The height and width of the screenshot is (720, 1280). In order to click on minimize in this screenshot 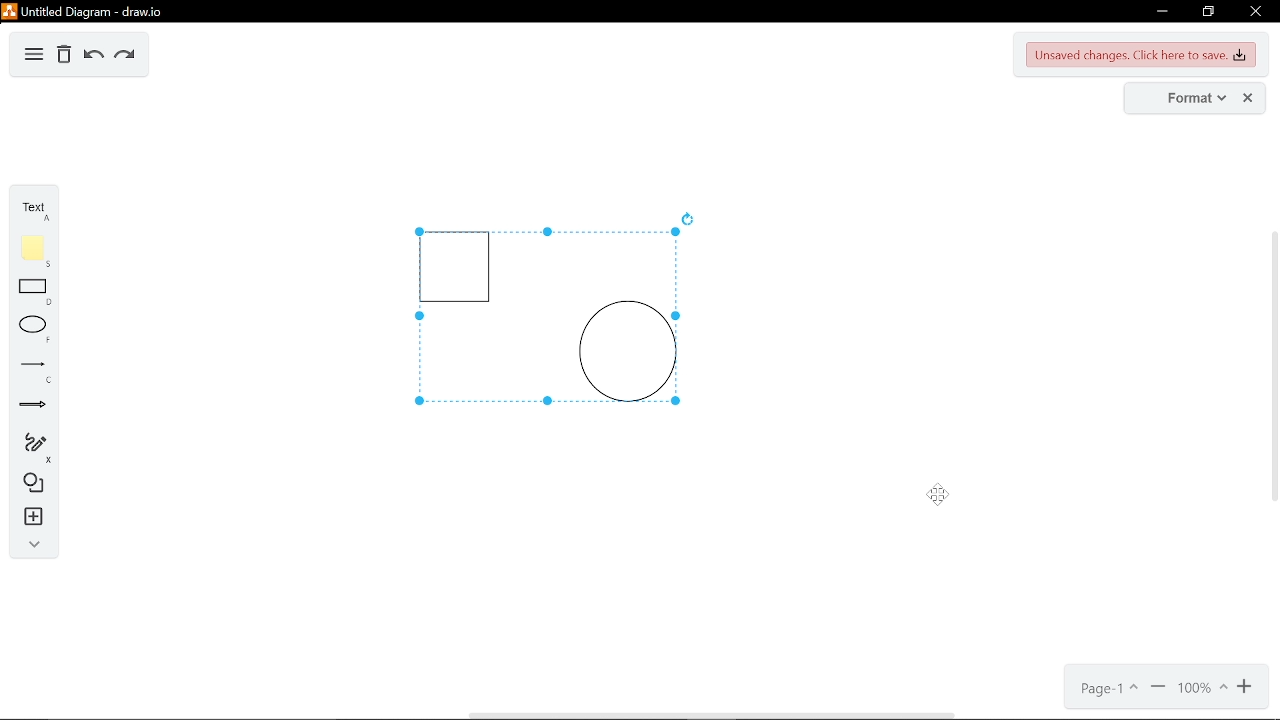, I will do `click(1159, 12)`.